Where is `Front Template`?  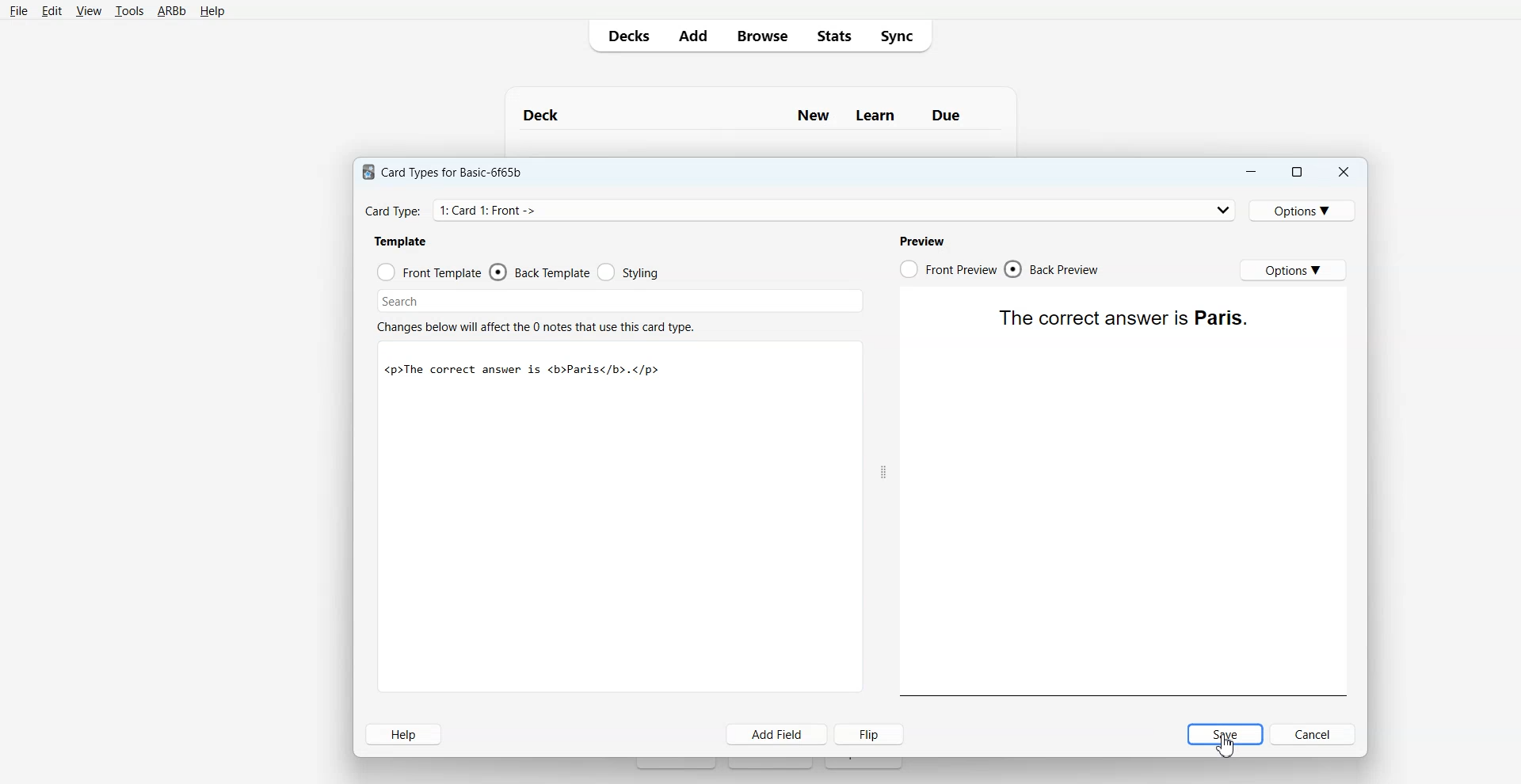 Front Template is located at coordinates (429, 271).